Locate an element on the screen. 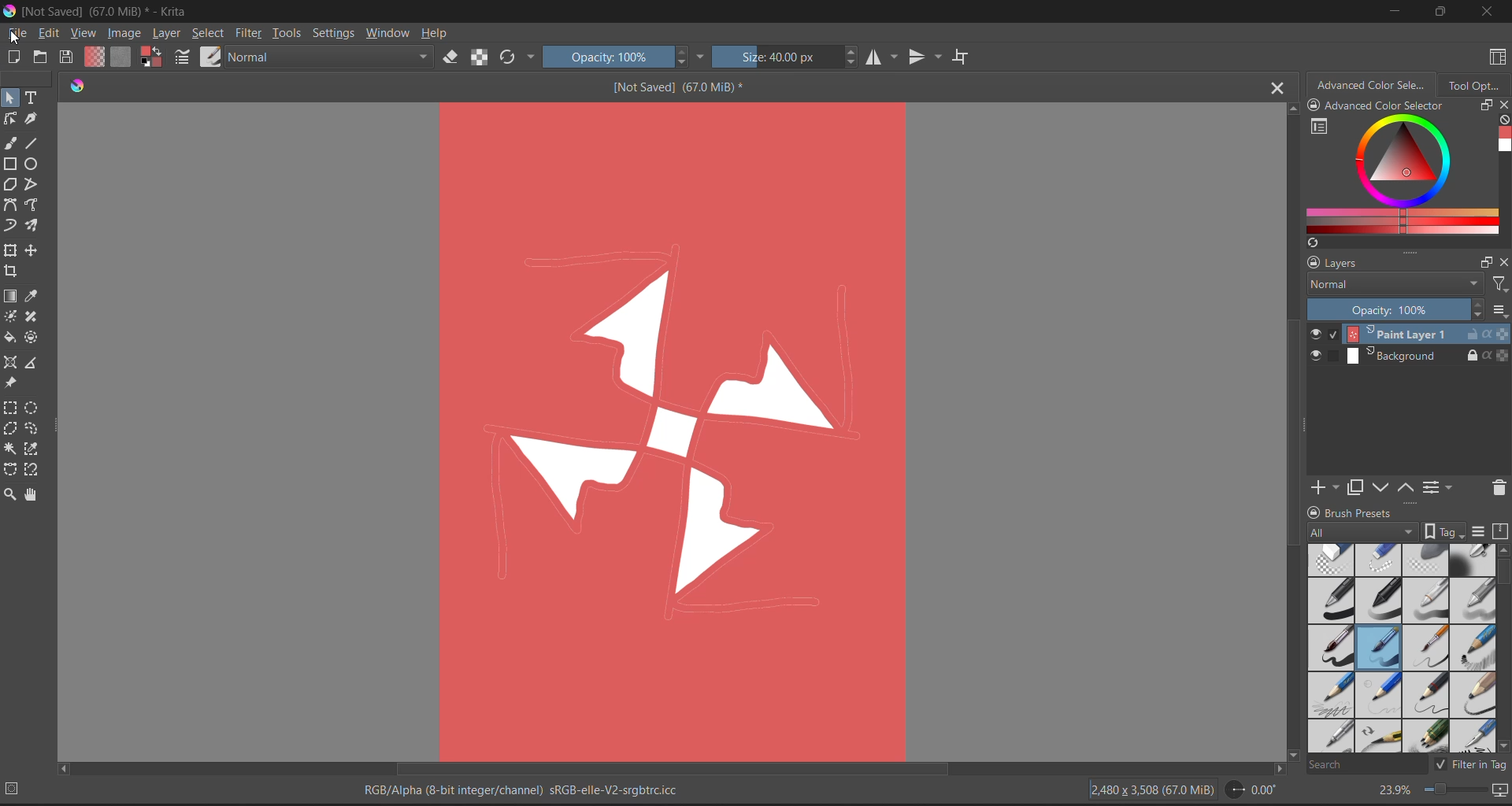  add is located at coordinates (1329, 486).